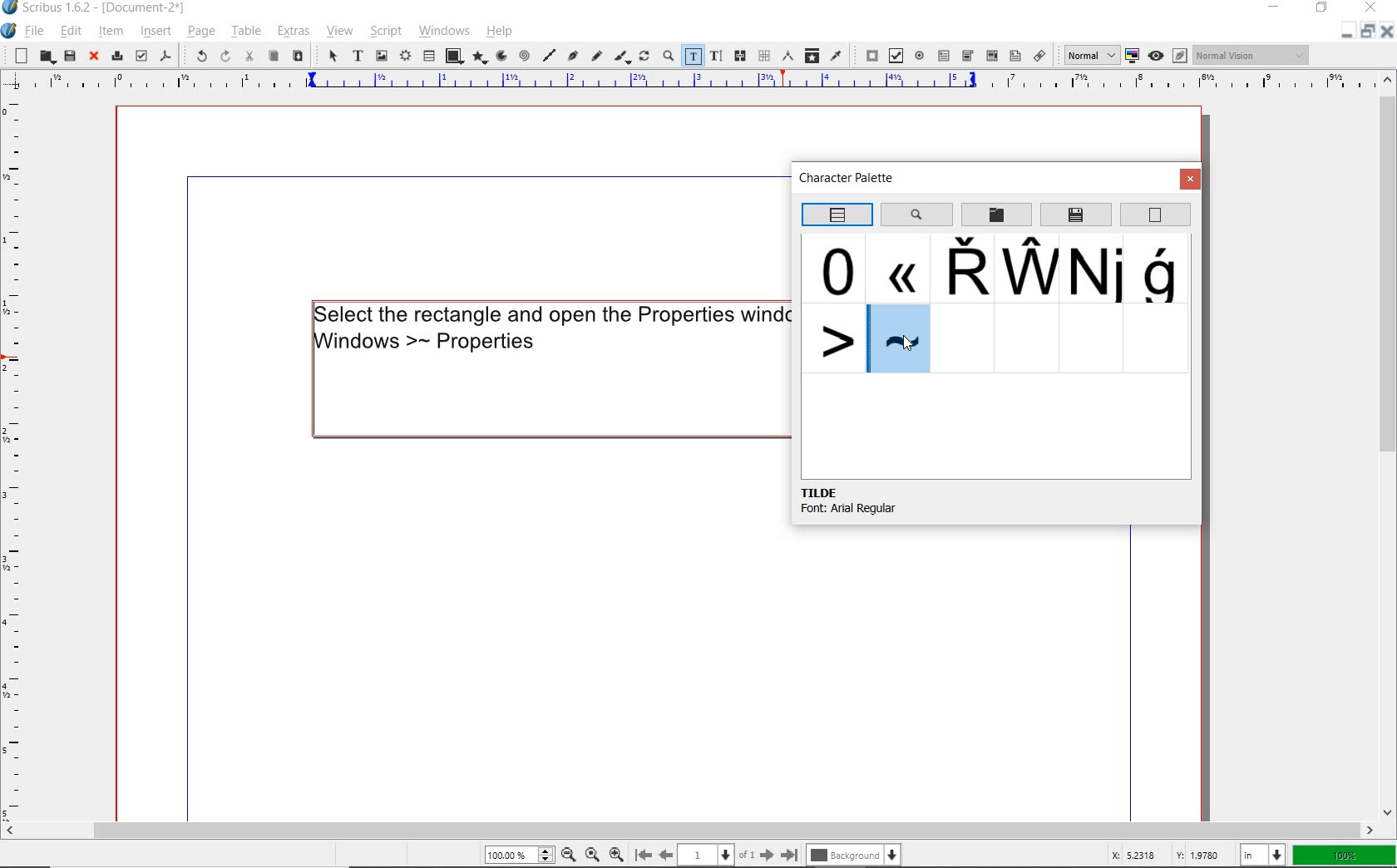  What do you see at coordinates (165, 55) in the screenshot?
I see `save as pdf` at bounding box center [165, 55].